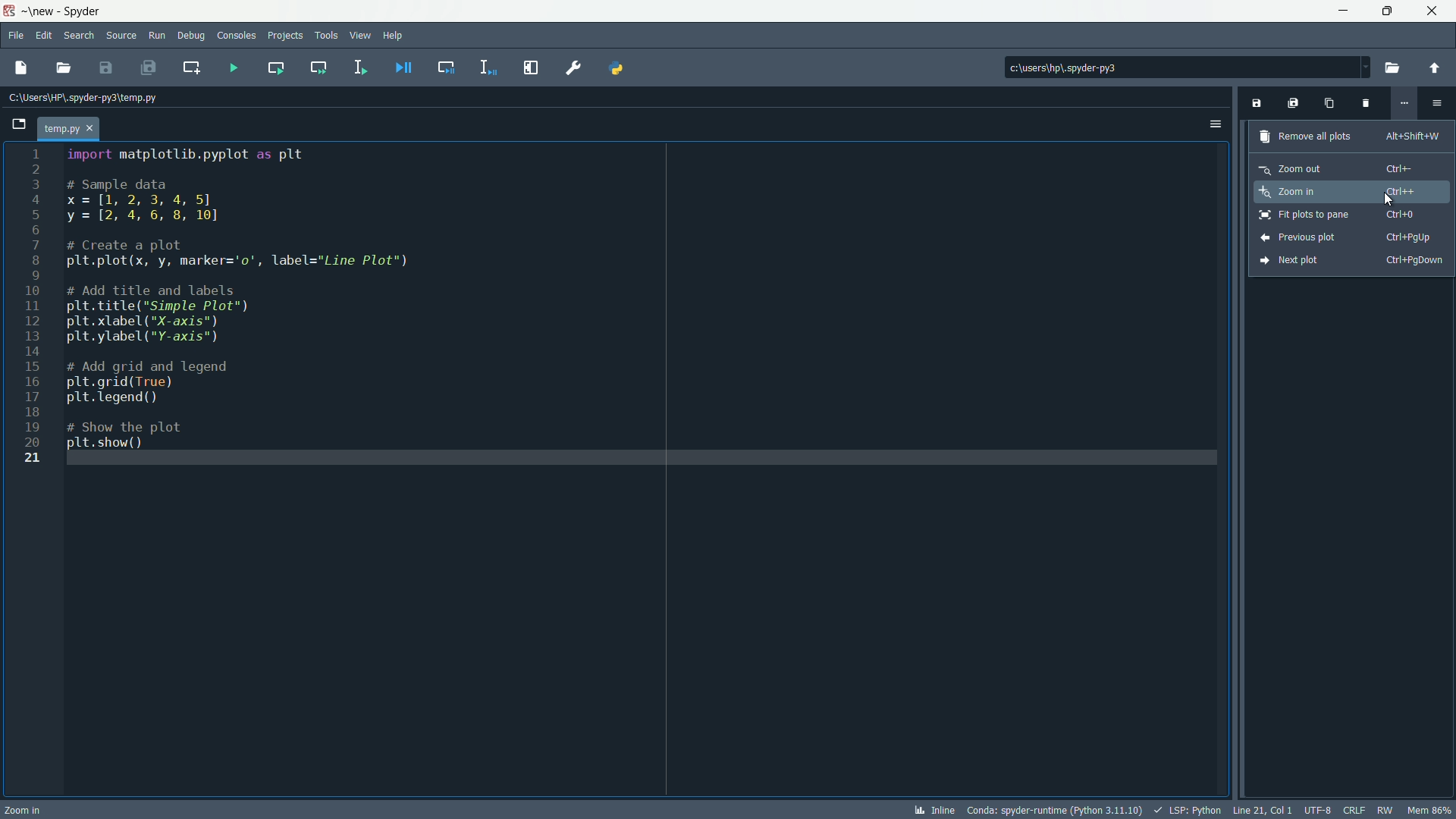 The height and width of the screenshot is (819, 1456). What do you see at coordinates (1341, 190) in the screenshot?
I see `zoom in` at bounding box center [1341, 190].